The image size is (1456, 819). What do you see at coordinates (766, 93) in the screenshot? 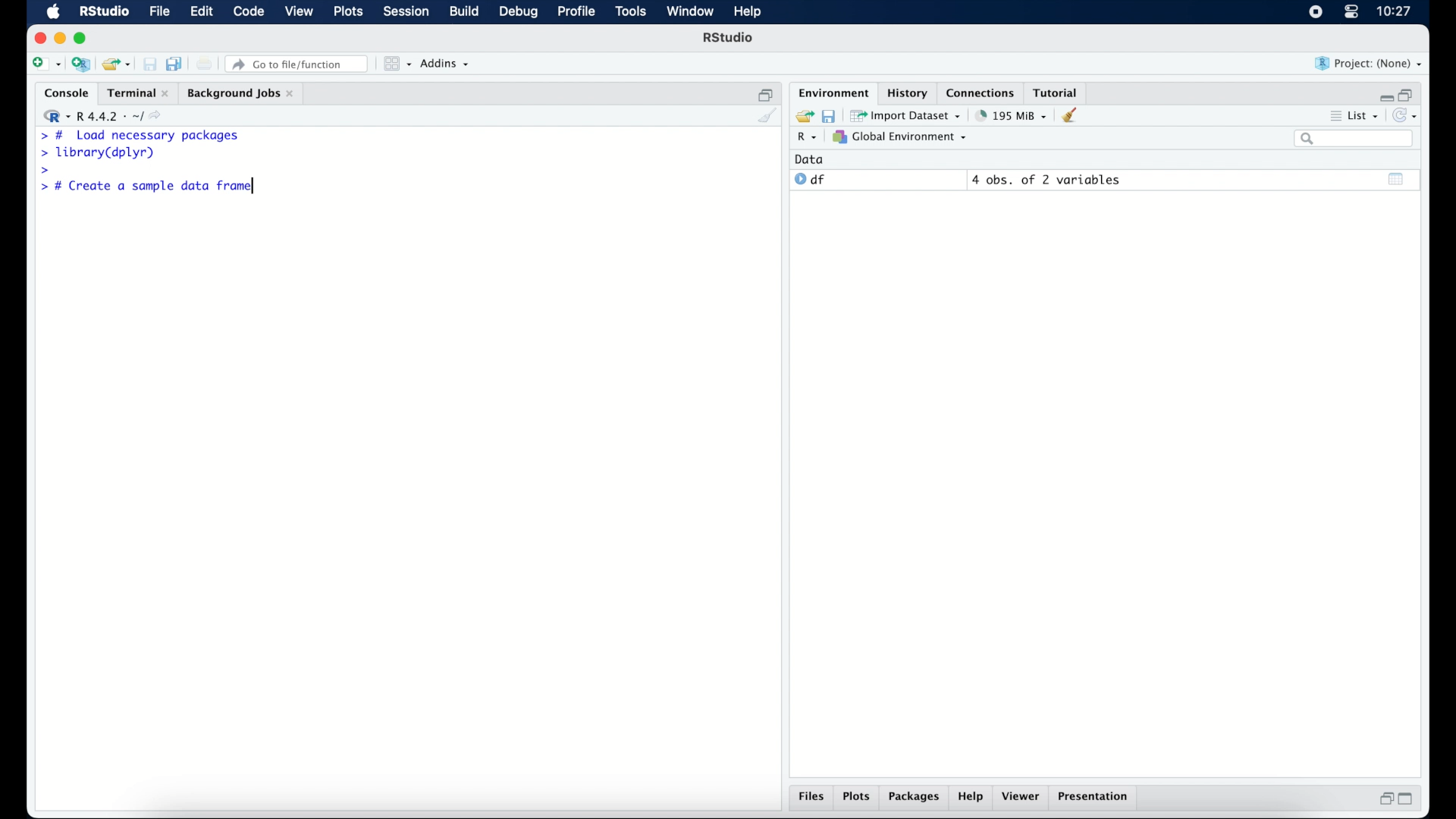
I see `restore down` at bounding box center [766, 93].